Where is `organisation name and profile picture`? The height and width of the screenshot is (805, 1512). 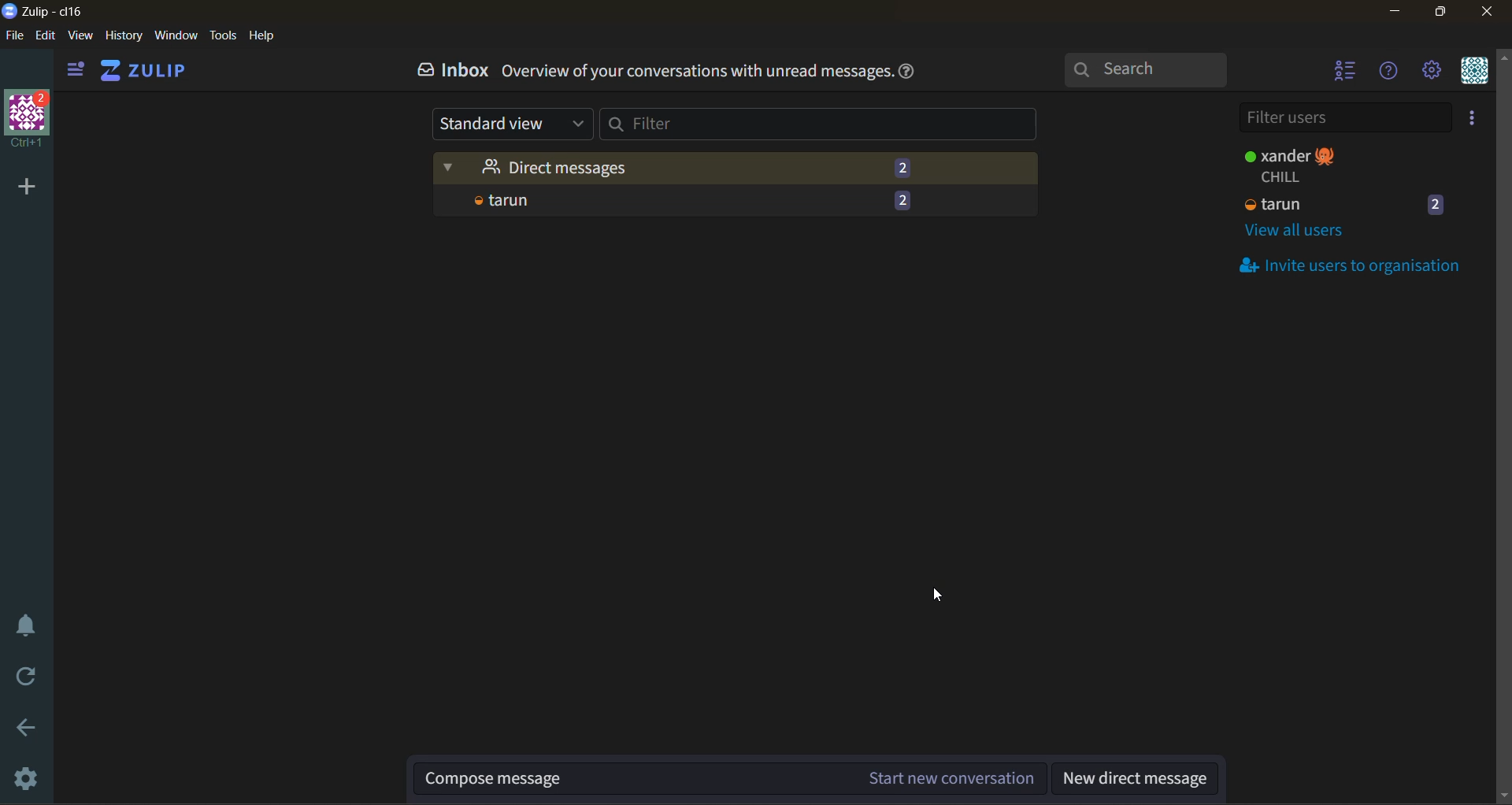 organisation name and profile picture is located at coordinates (24, 122).